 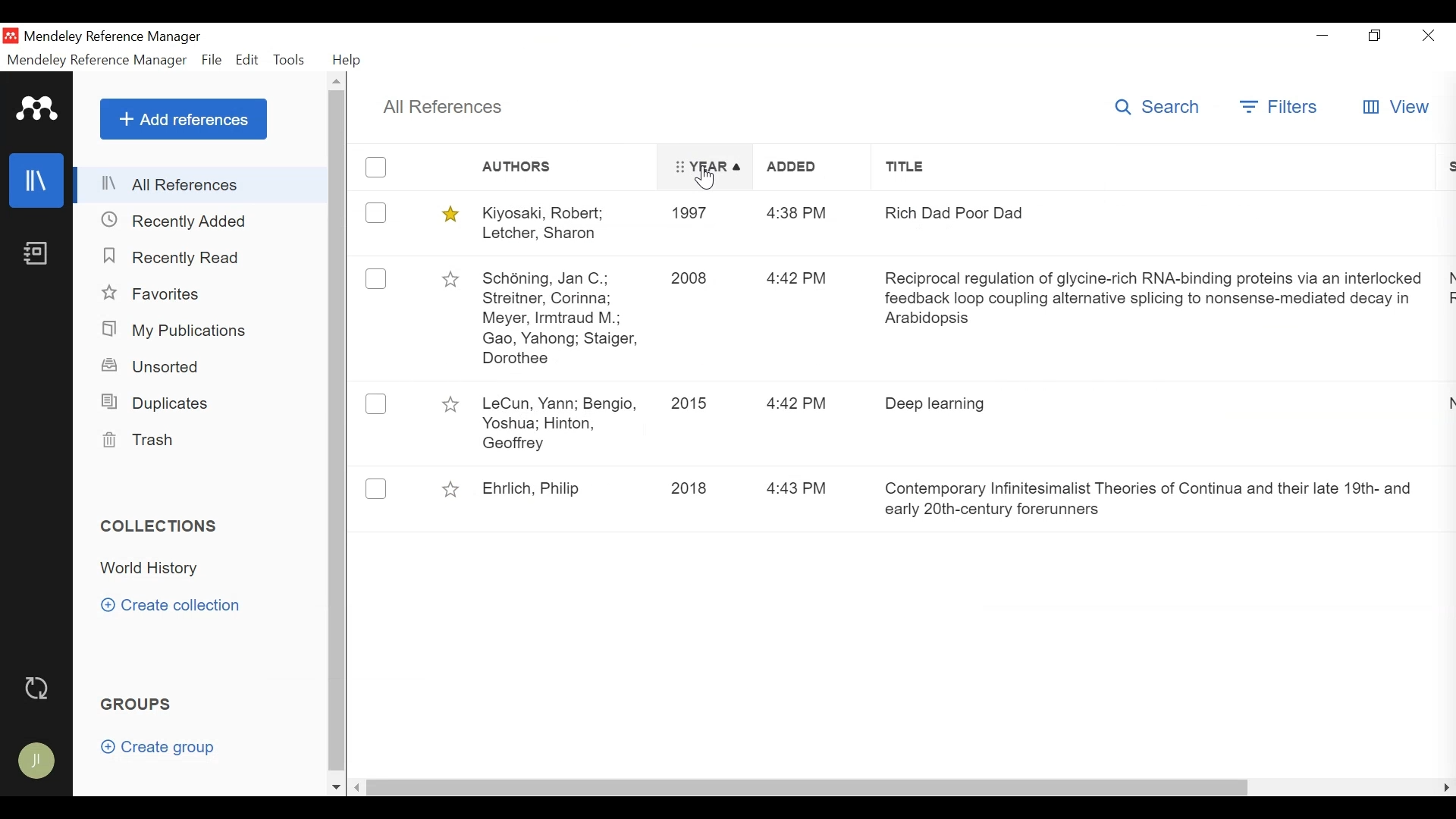 What do you see at coordinates (560, 226) in the screenshot?
I see `Kiyosaki, Robert, Letcer, Sharon` at bounding box center [560, 226].